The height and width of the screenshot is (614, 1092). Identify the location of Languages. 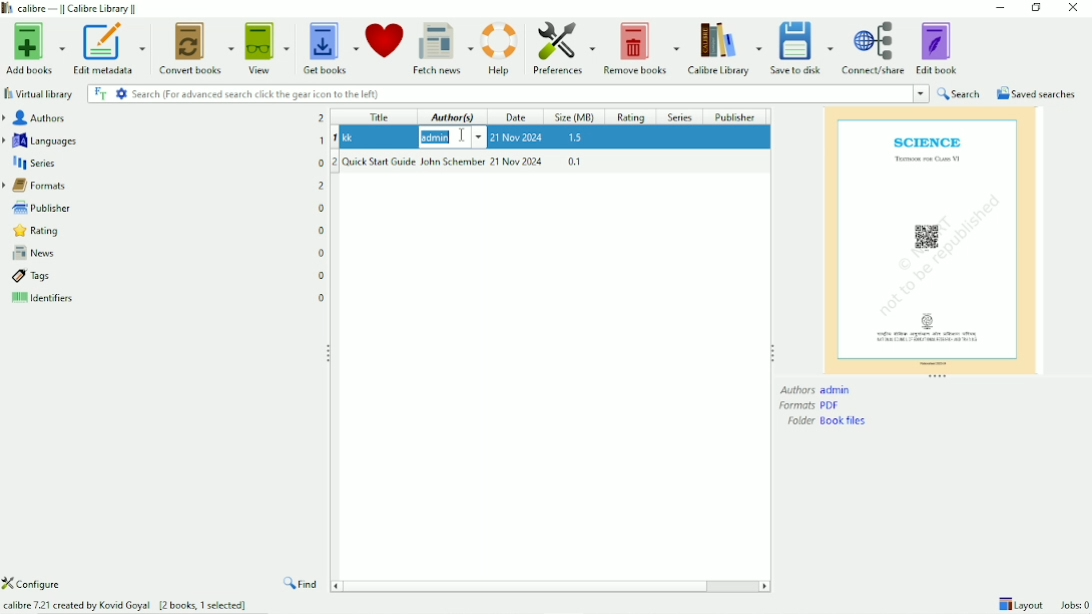
(162, 141).